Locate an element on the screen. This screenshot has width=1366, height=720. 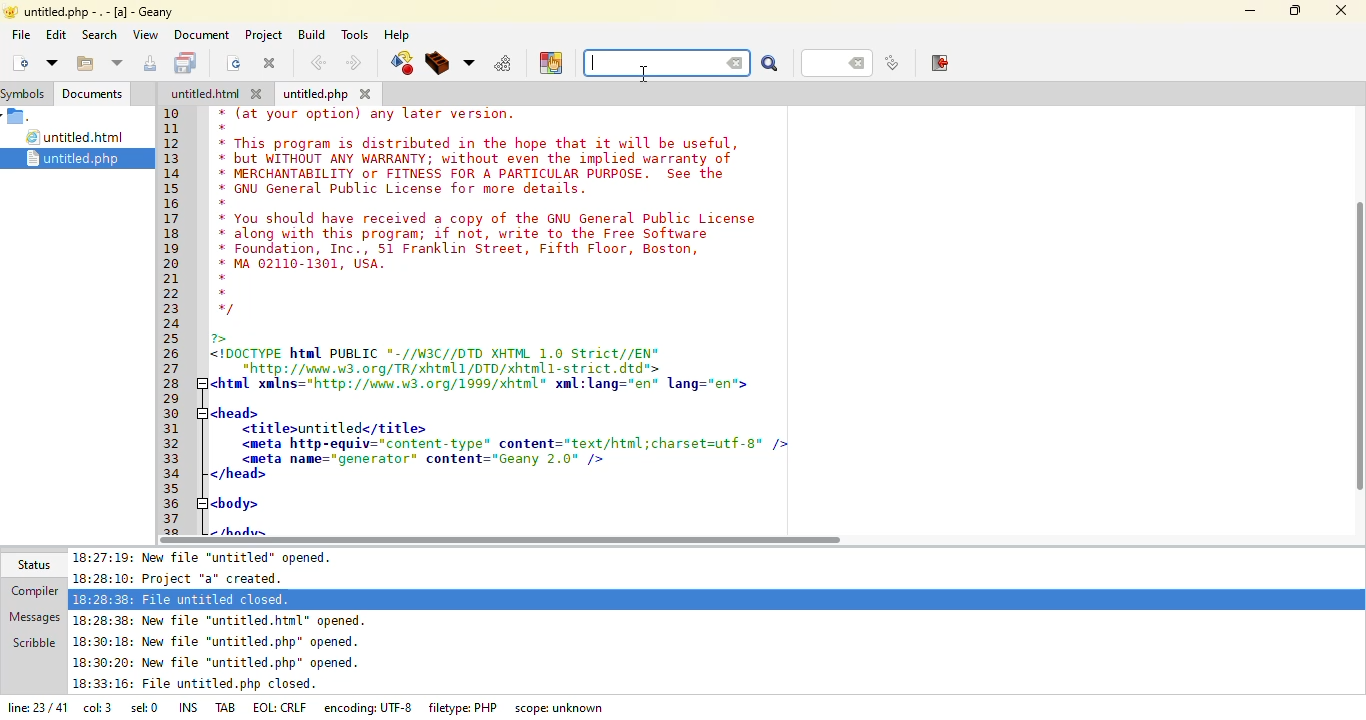
29 is located at coordinates (174, 397).